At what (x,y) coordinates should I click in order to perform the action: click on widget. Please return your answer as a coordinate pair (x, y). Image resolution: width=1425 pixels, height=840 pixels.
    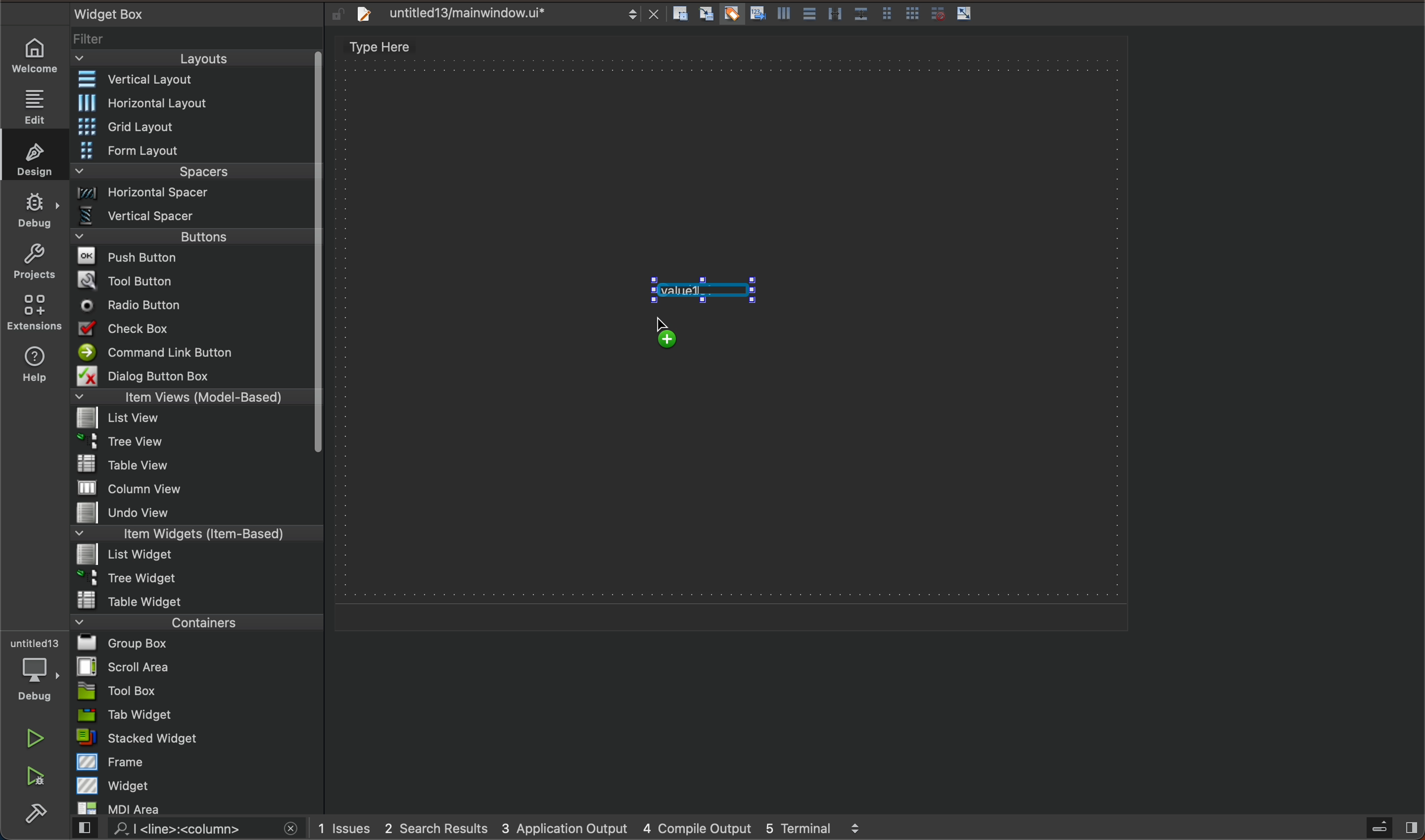
    Looking at the image, I should click on (199, 785).